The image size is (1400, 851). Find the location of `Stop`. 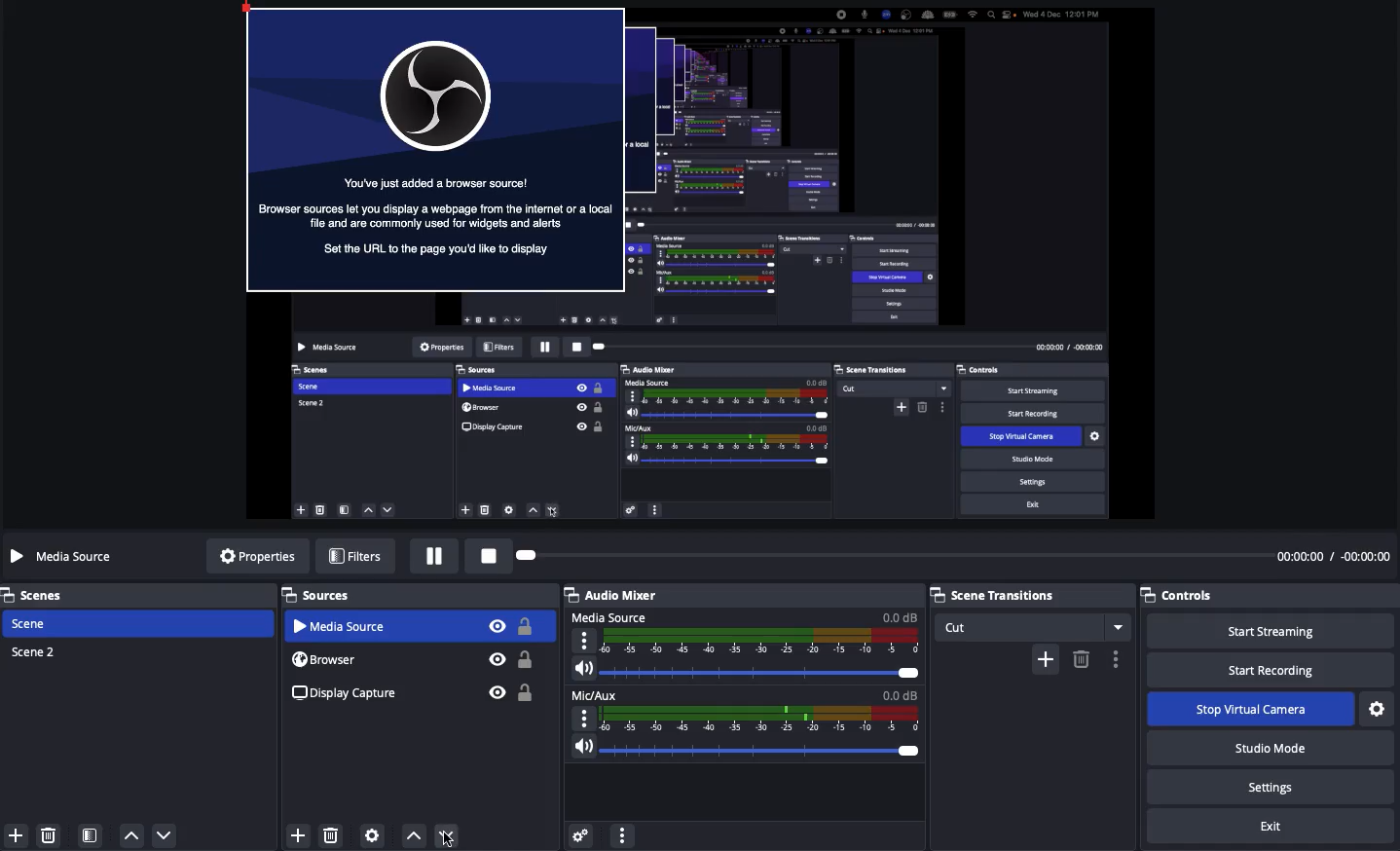

Stop is located at coordinates (485, 554).